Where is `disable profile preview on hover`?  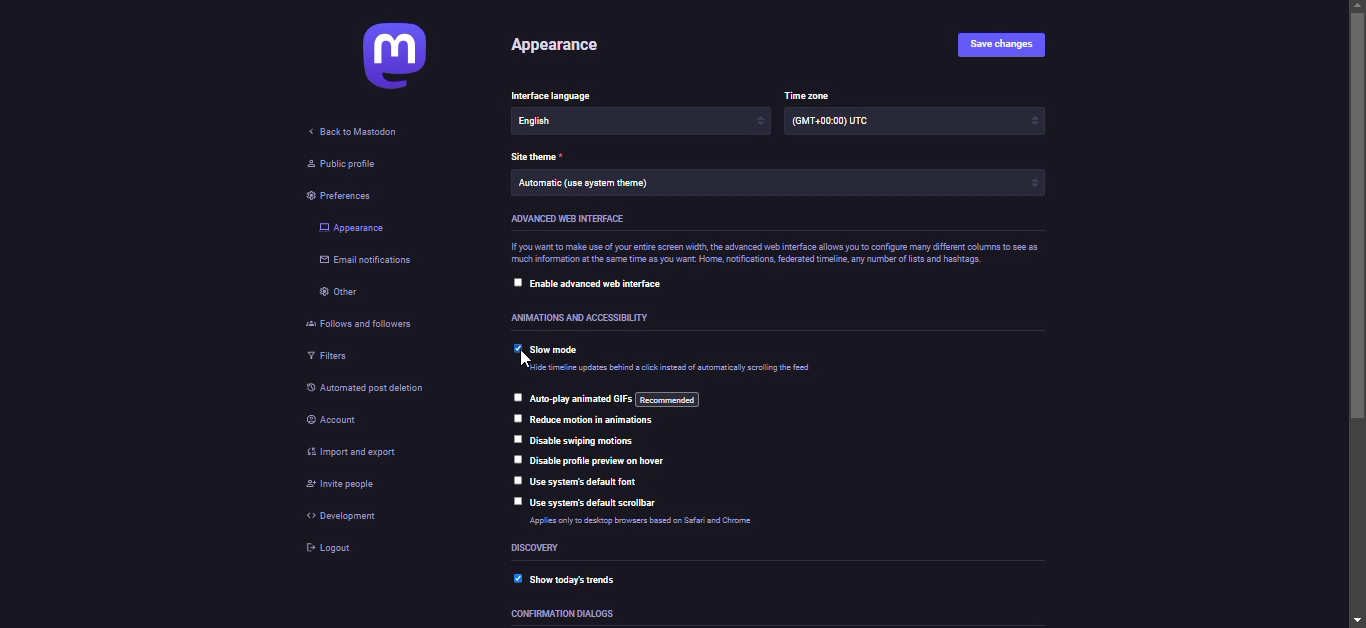 disable profile preview on hover is located at coordinates (609, 459).